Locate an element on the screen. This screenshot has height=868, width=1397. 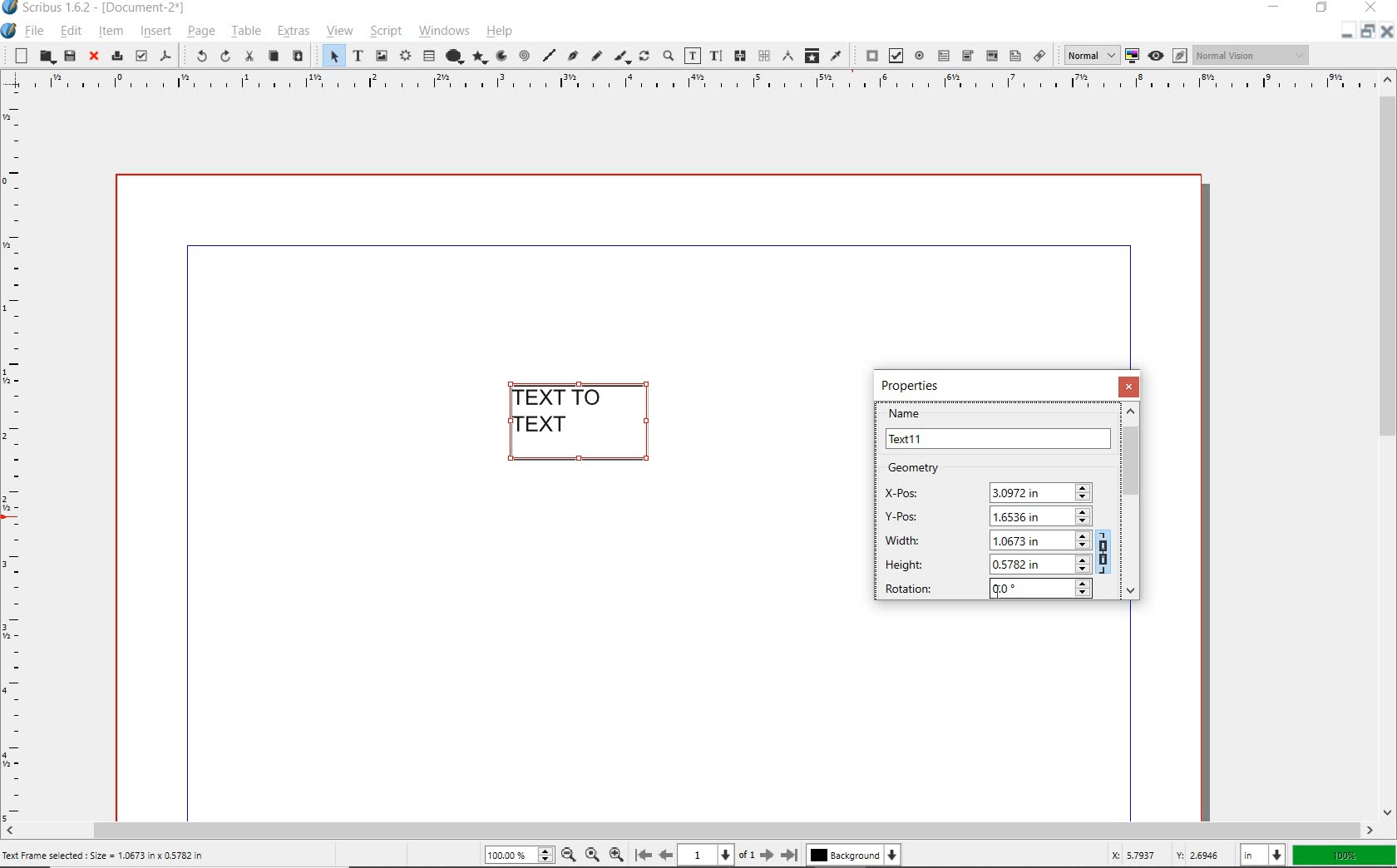
zoom level is located at coordinates (522, 856).